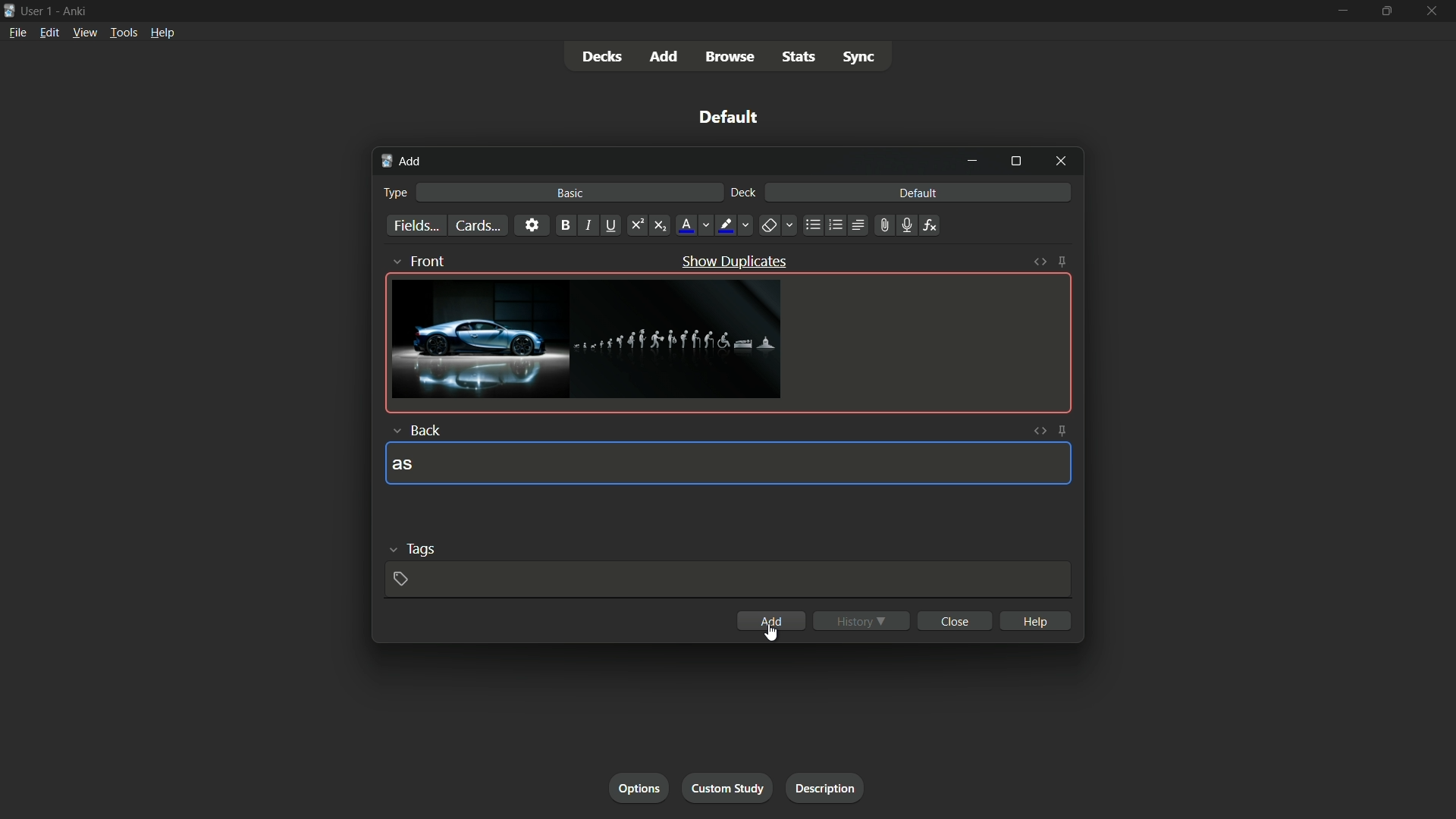  What do you see at coordinates (639, 787) in the screenshot?
I see `options` at bounding box center [639, 787].